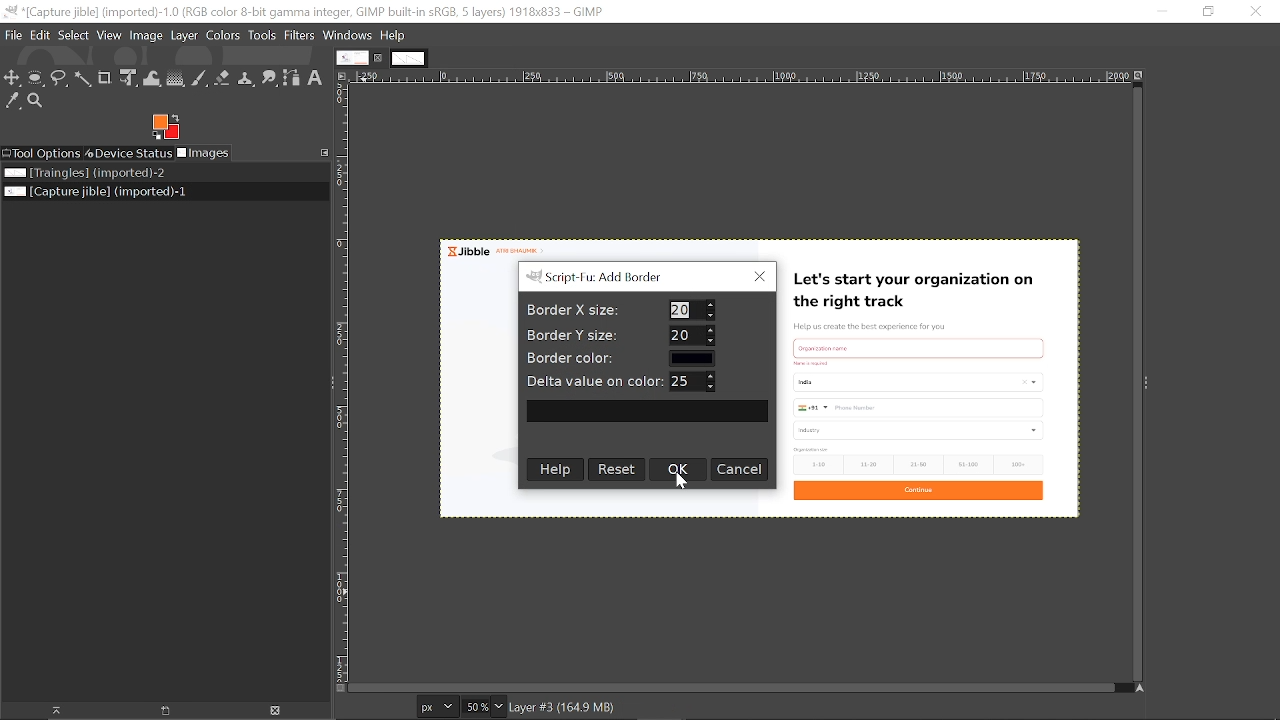 The image size is (1280, 720). What do you see at coordinates (877, 323) in the screenshot?
I see `Help us  create the best experience for you.` at bounding box center [877, 323].